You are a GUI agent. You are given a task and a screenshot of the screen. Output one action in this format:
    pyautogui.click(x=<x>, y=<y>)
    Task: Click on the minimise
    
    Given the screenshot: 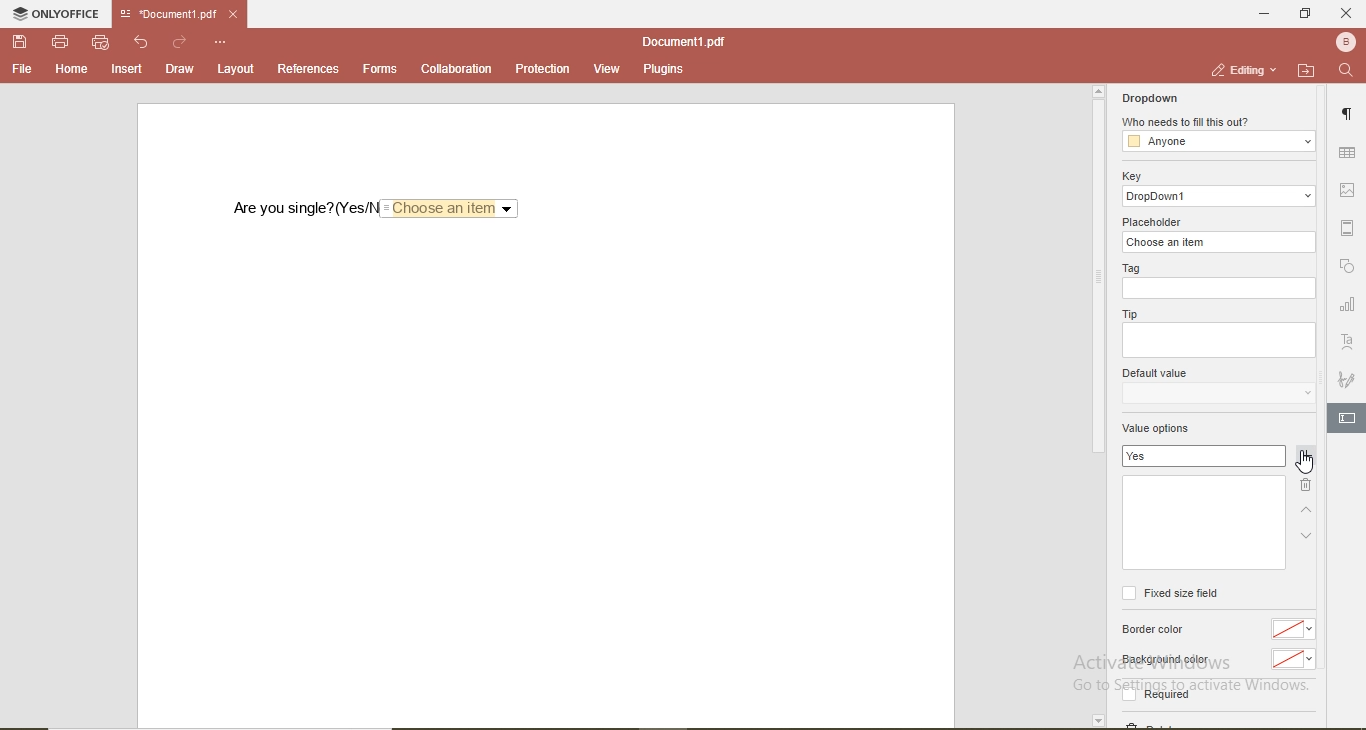 What is the action you would take?
    pyautogui.click(x=1262, y=15)
    